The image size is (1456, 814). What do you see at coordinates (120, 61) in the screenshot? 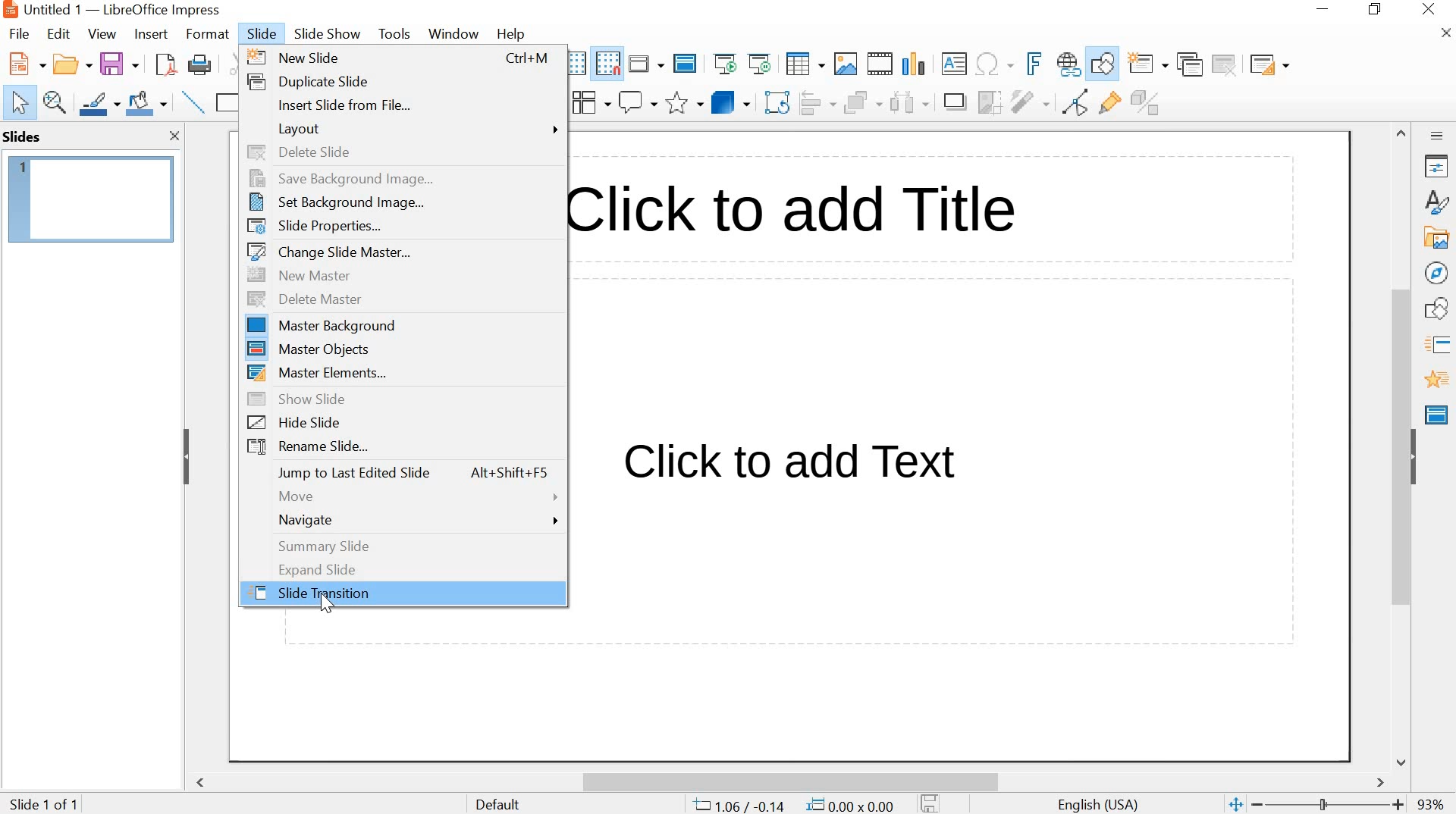
I see `SAVE` at bounding box center [120, 61].